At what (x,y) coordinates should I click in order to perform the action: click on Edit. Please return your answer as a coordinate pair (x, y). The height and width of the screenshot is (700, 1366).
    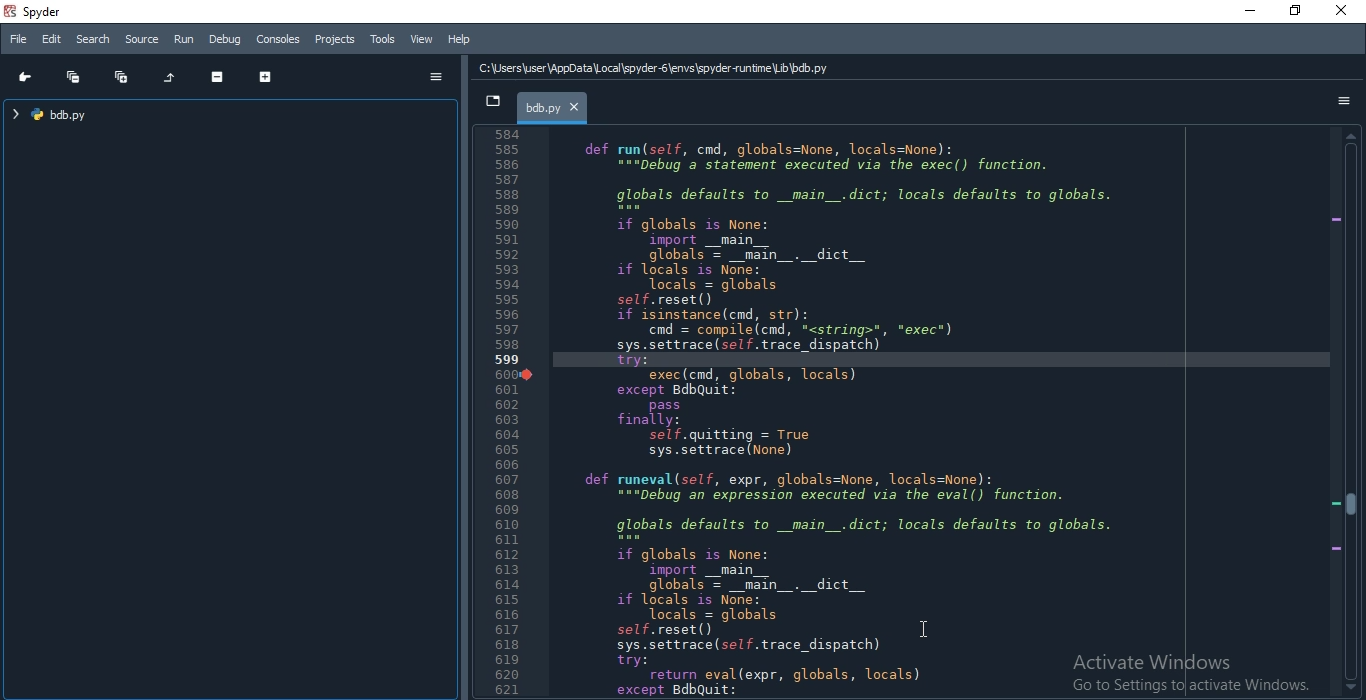
    Looking at the image, I should click on (53, 40).